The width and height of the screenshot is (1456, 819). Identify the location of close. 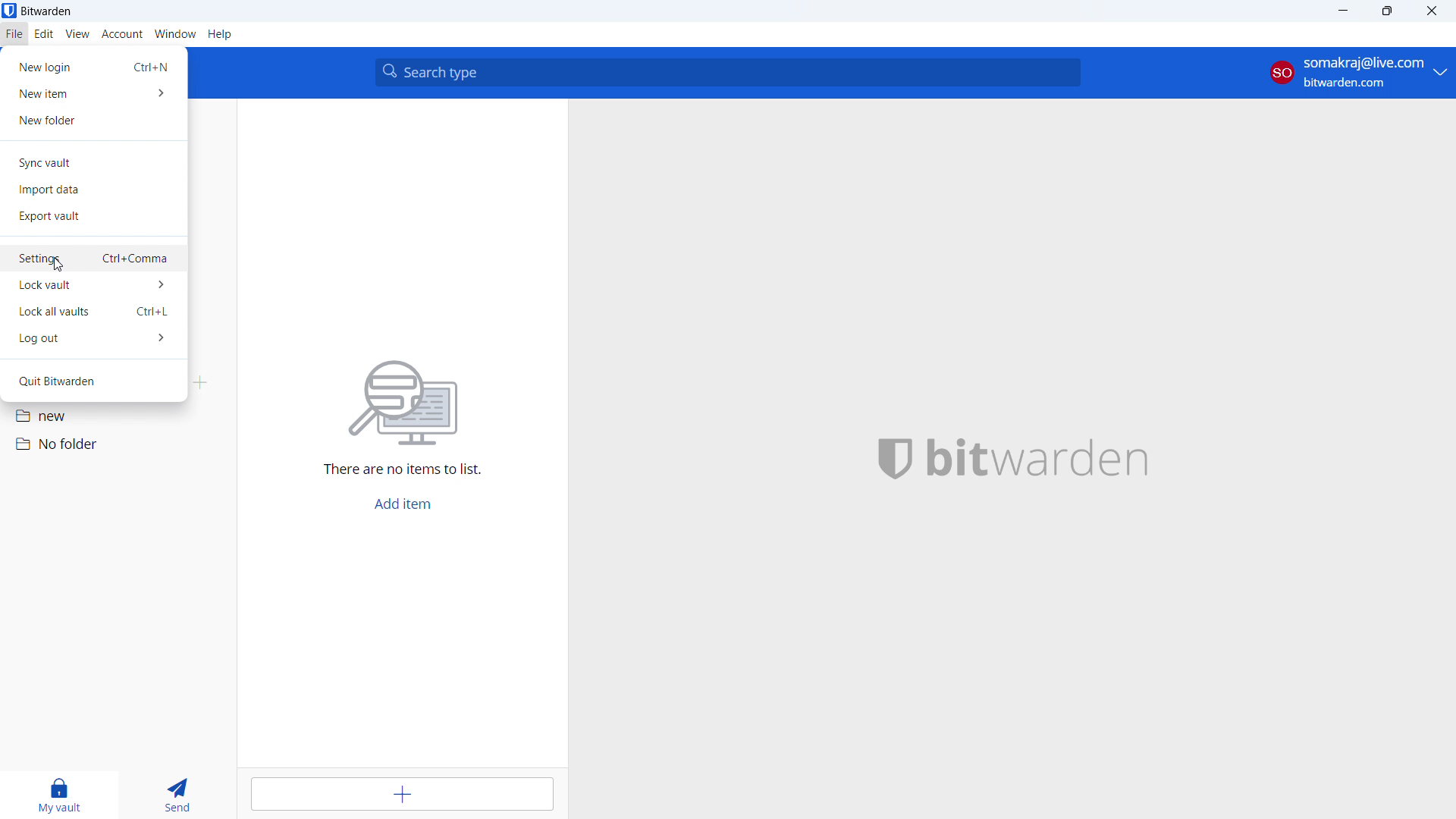
(1432, 11).